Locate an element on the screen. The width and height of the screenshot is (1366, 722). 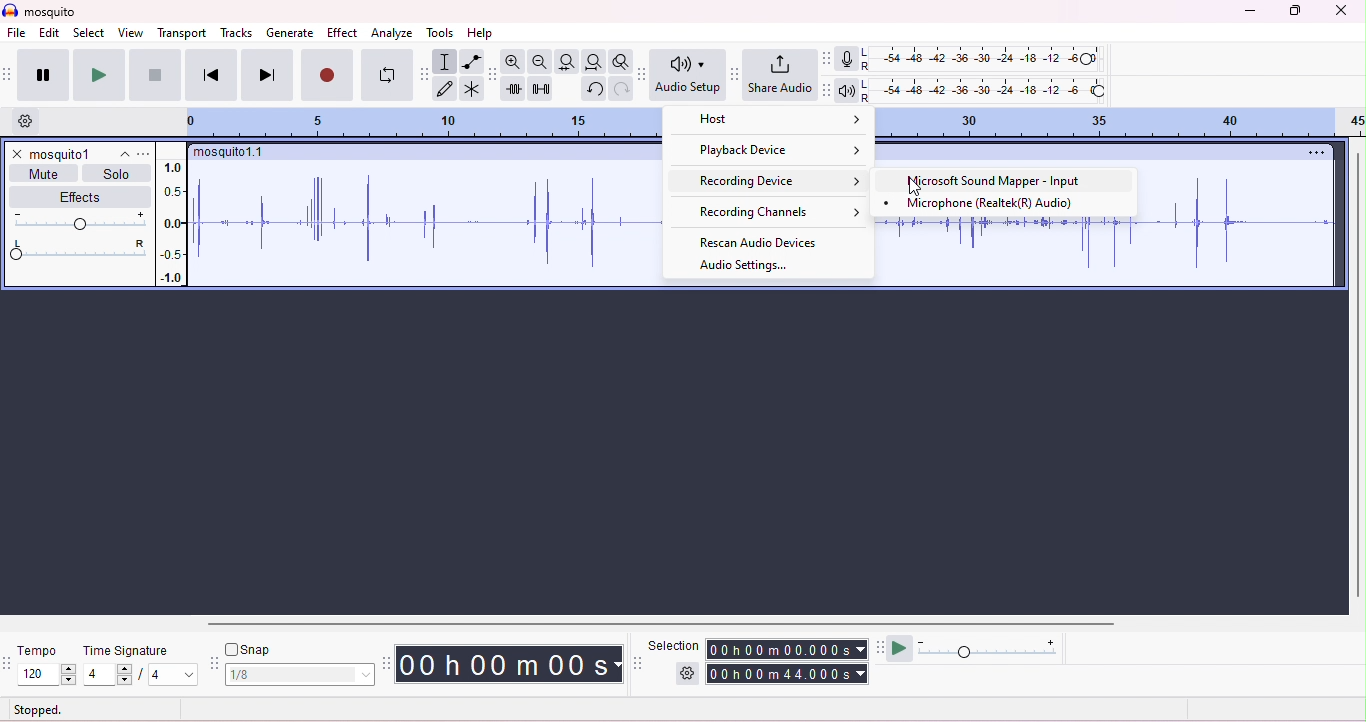
vertical scroll bar is located at coordinates (1357, 373).